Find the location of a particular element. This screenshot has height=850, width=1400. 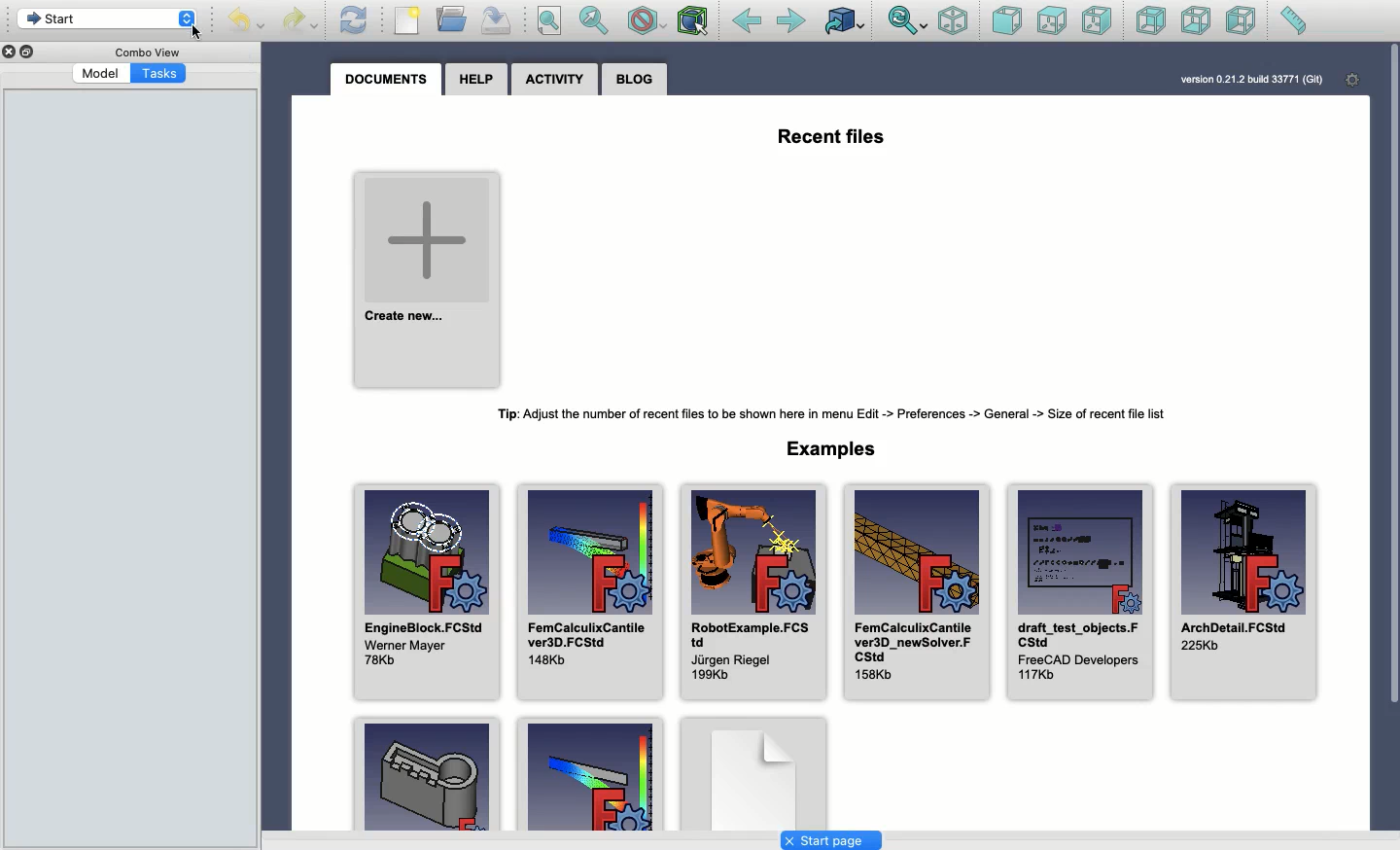

ArchDetail.FCStd 229Kb is located at coordinates (1244, 591).